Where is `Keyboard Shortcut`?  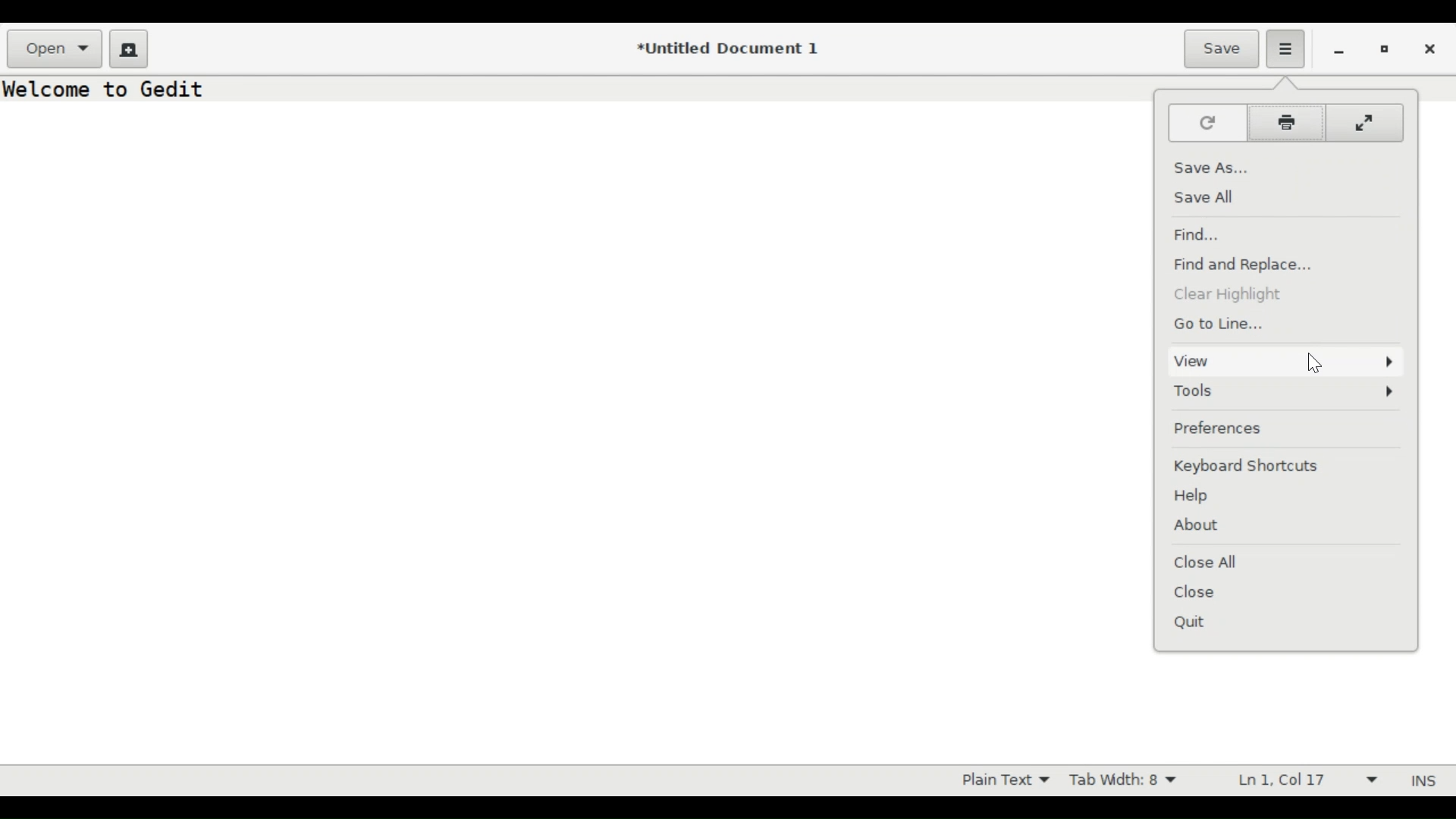 Keyboard Shortcut is located at coordinates (1281, 466).